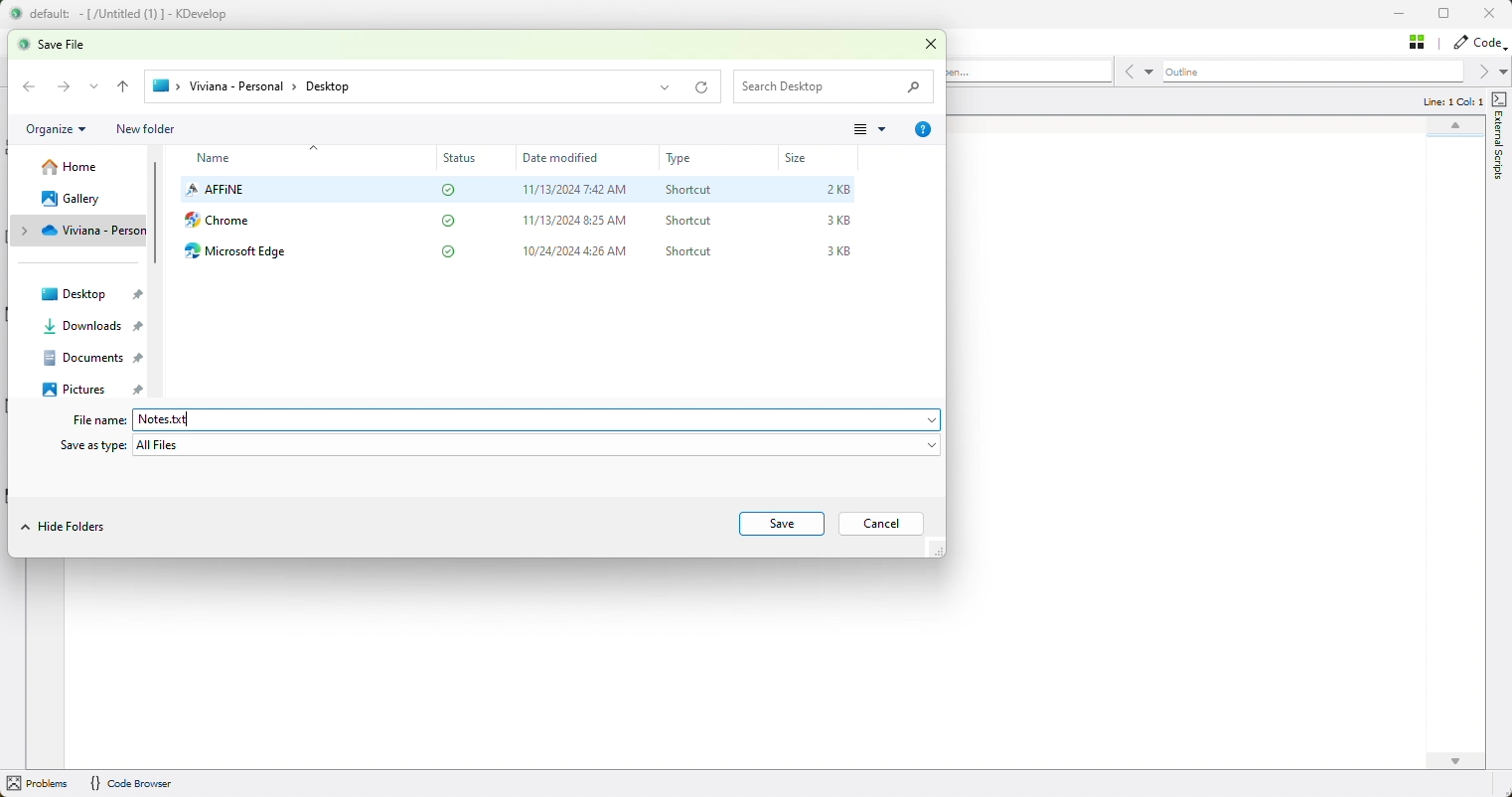 The height and width of the screenshot is (797, 1512). What do you see at coordinates (129, 14) in the screenshot?
I see `default: -[/Untitled (1) ] - KDevelop` at bounding box center [129, 14].